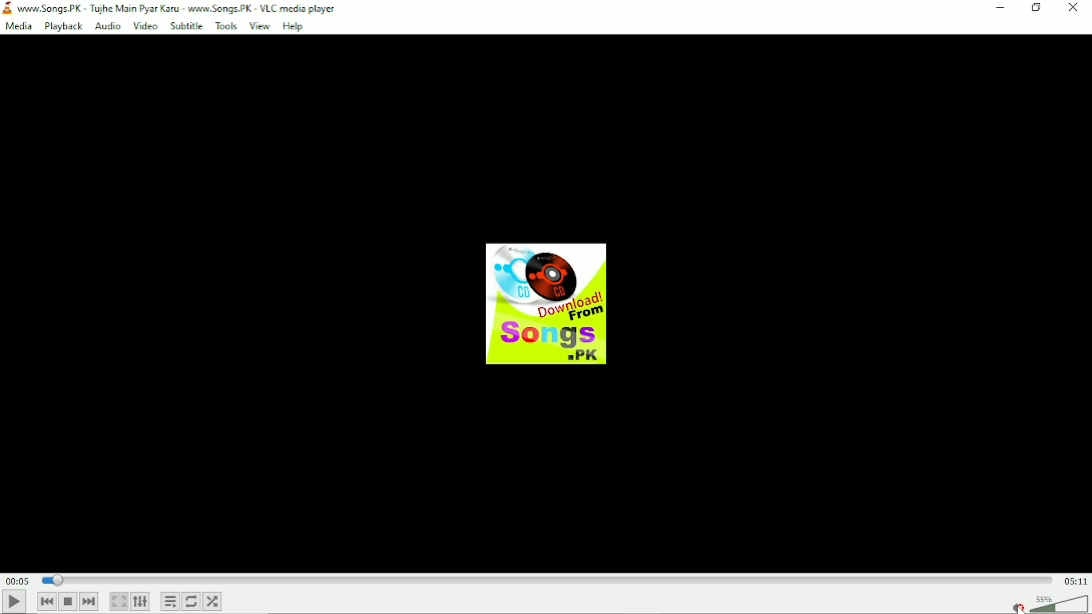  Describe the element at coordinates (106, 26) in the screenshot. I see `Audio` at that location.